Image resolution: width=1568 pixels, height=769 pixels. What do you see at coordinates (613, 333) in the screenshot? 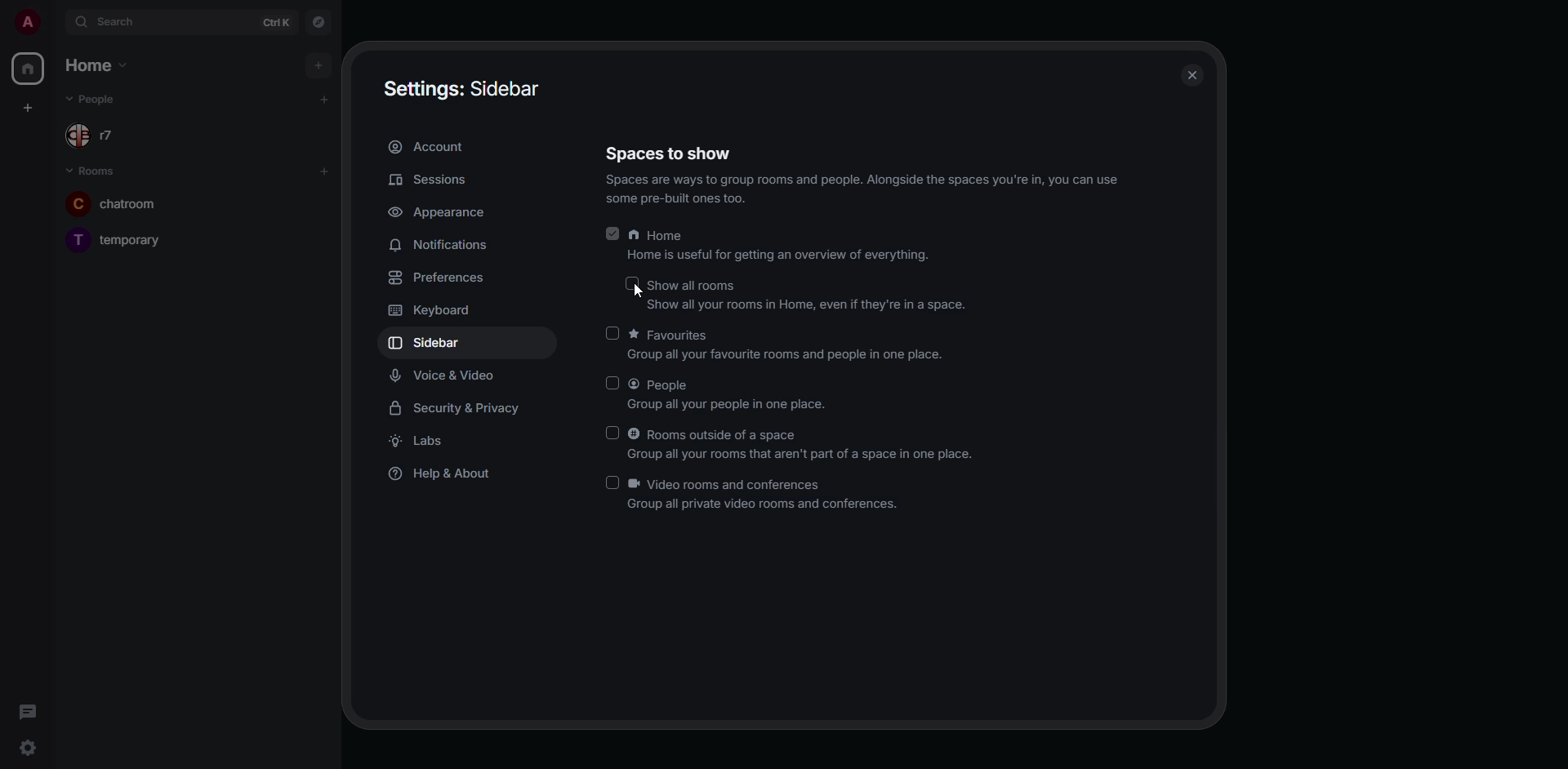
I see `click to enable` at bounding box center [613, 333].